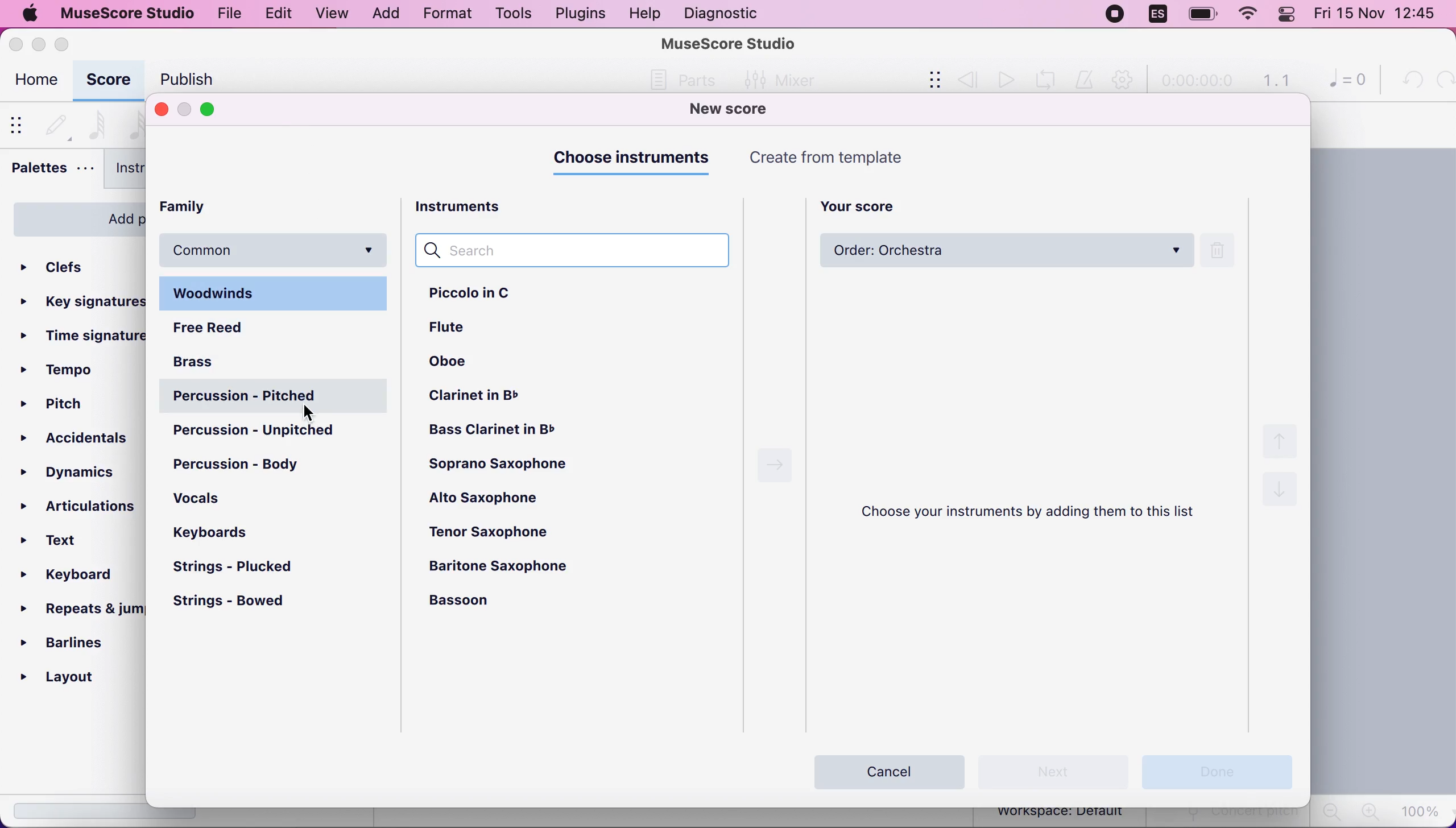 Image resolution: width=1456 pixels, height=828 pixels. Describe the element at coordinates (59, 406) in the screenshot. I see `pitch` at that location.